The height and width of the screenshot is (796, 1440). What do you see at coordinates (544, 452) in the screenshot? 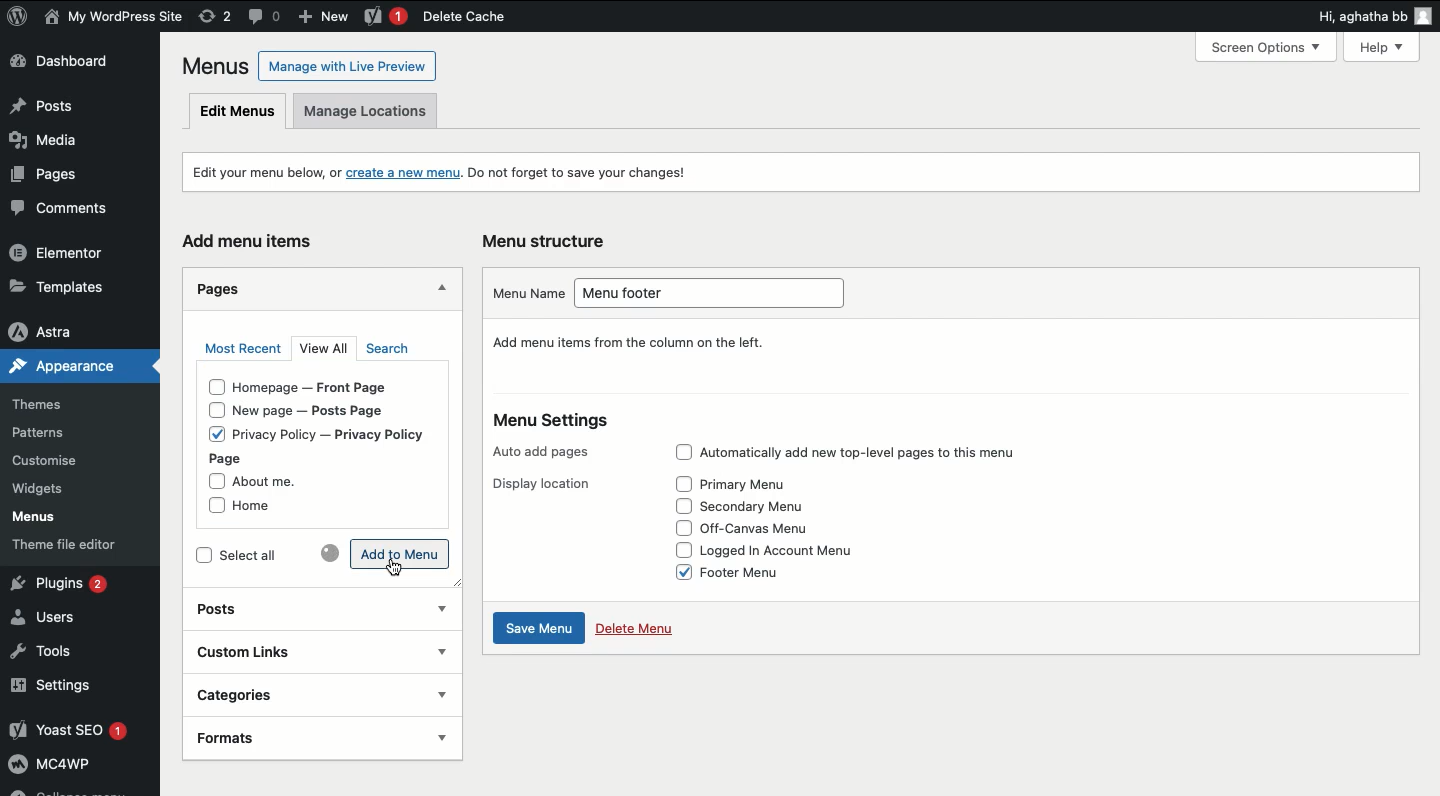
I see `Auto add pages` at bounding box center [544, 452].